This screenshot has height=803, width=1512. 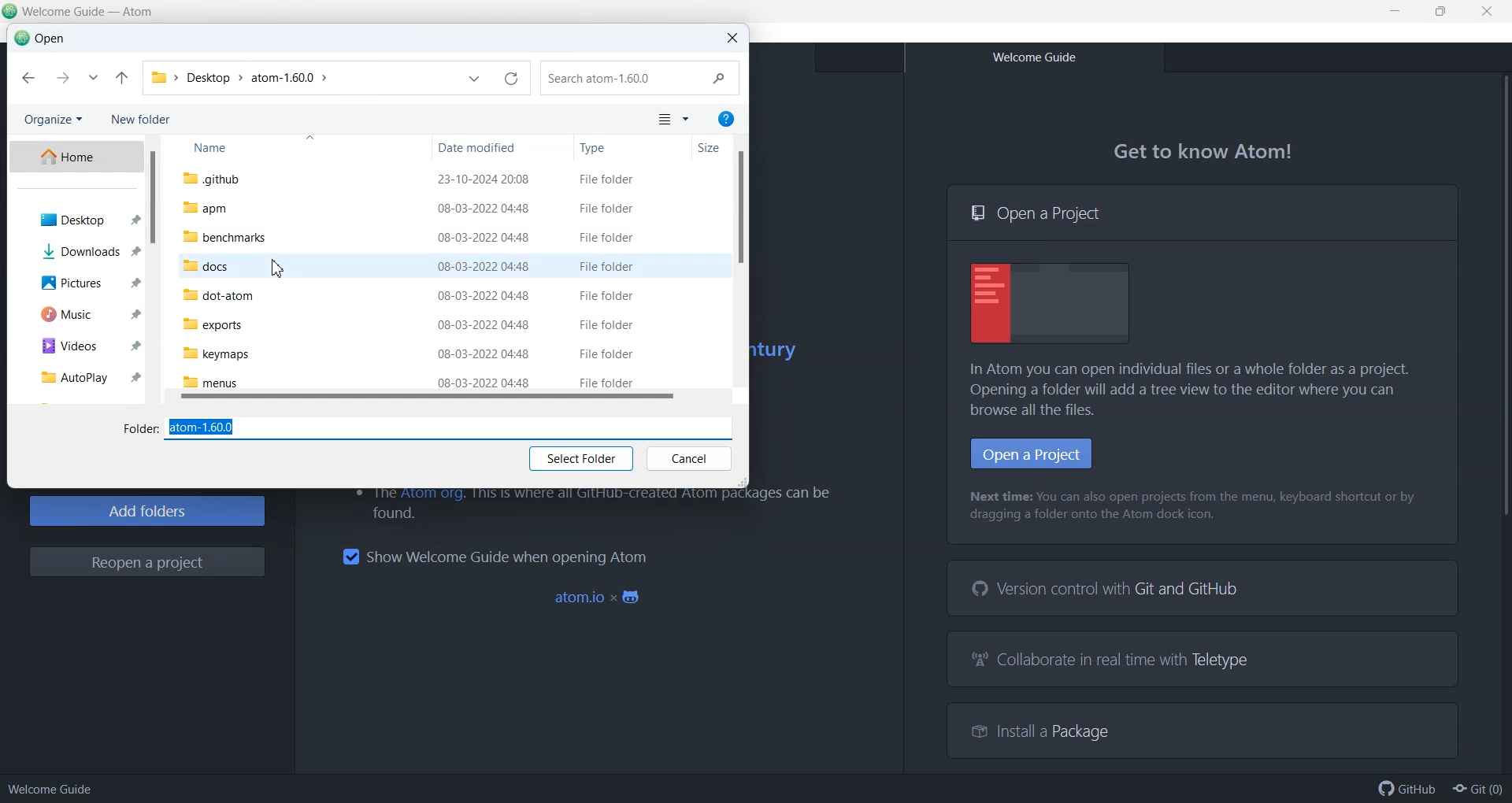 What do you see at coordinates (607, 238) in the screenshot?
I see `File Folder` at bounding box center [607, 238].